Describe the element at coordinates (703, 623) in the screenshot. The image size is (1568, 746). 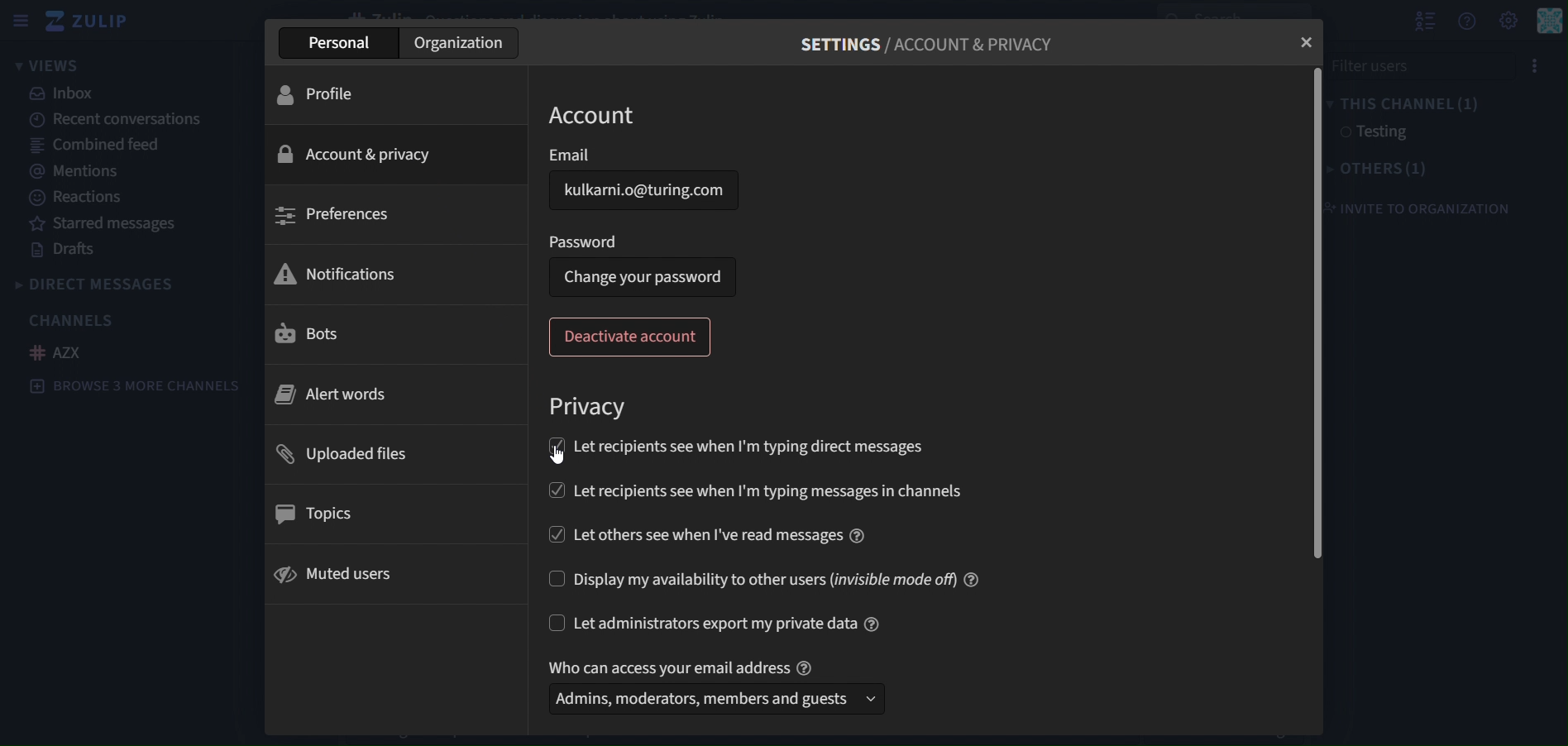
I see `let admininstrators export my private data` at that location.